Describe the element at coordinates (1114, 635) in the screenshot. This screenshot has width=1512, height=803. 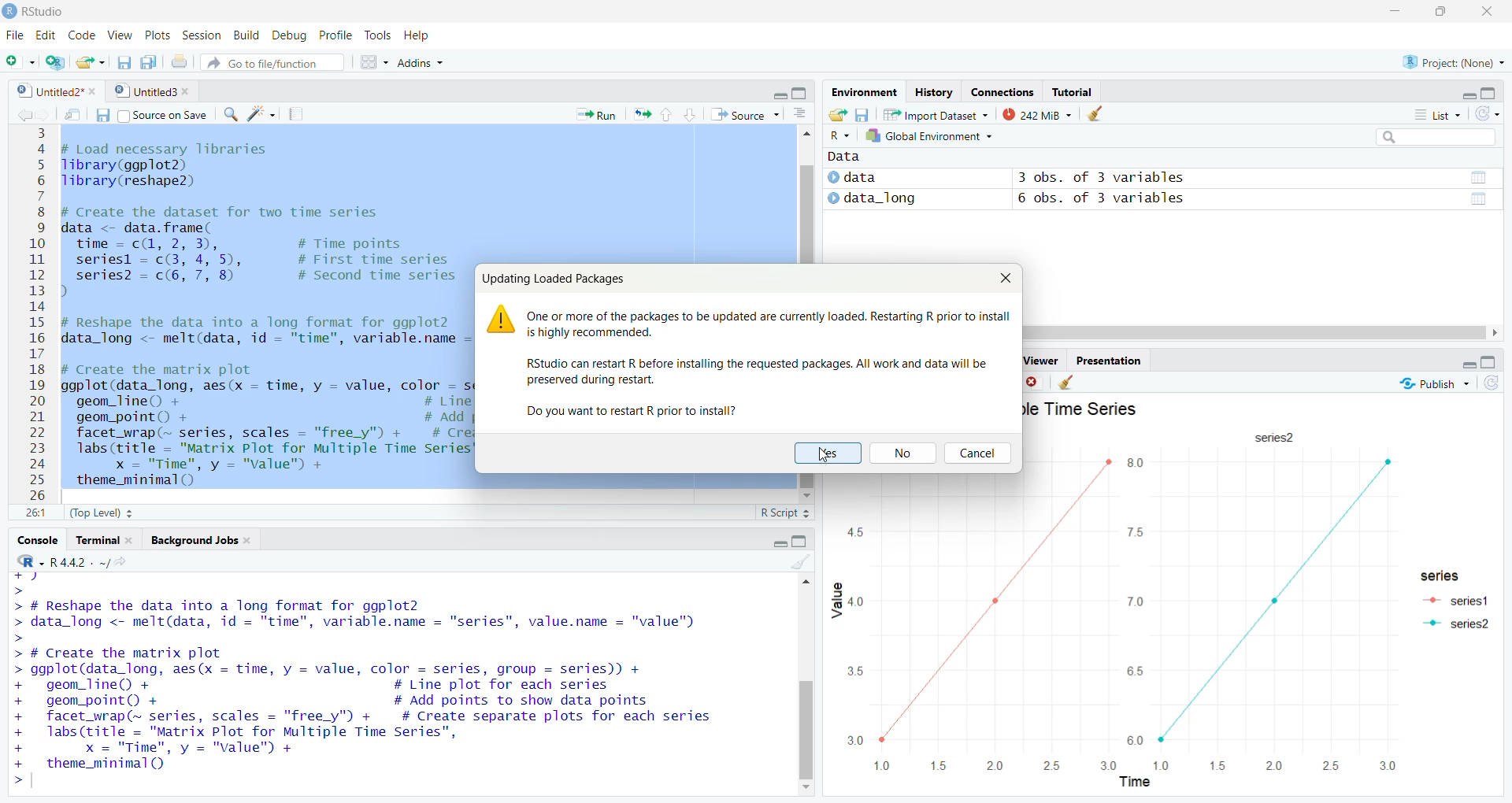
I see `Graph` at that location.